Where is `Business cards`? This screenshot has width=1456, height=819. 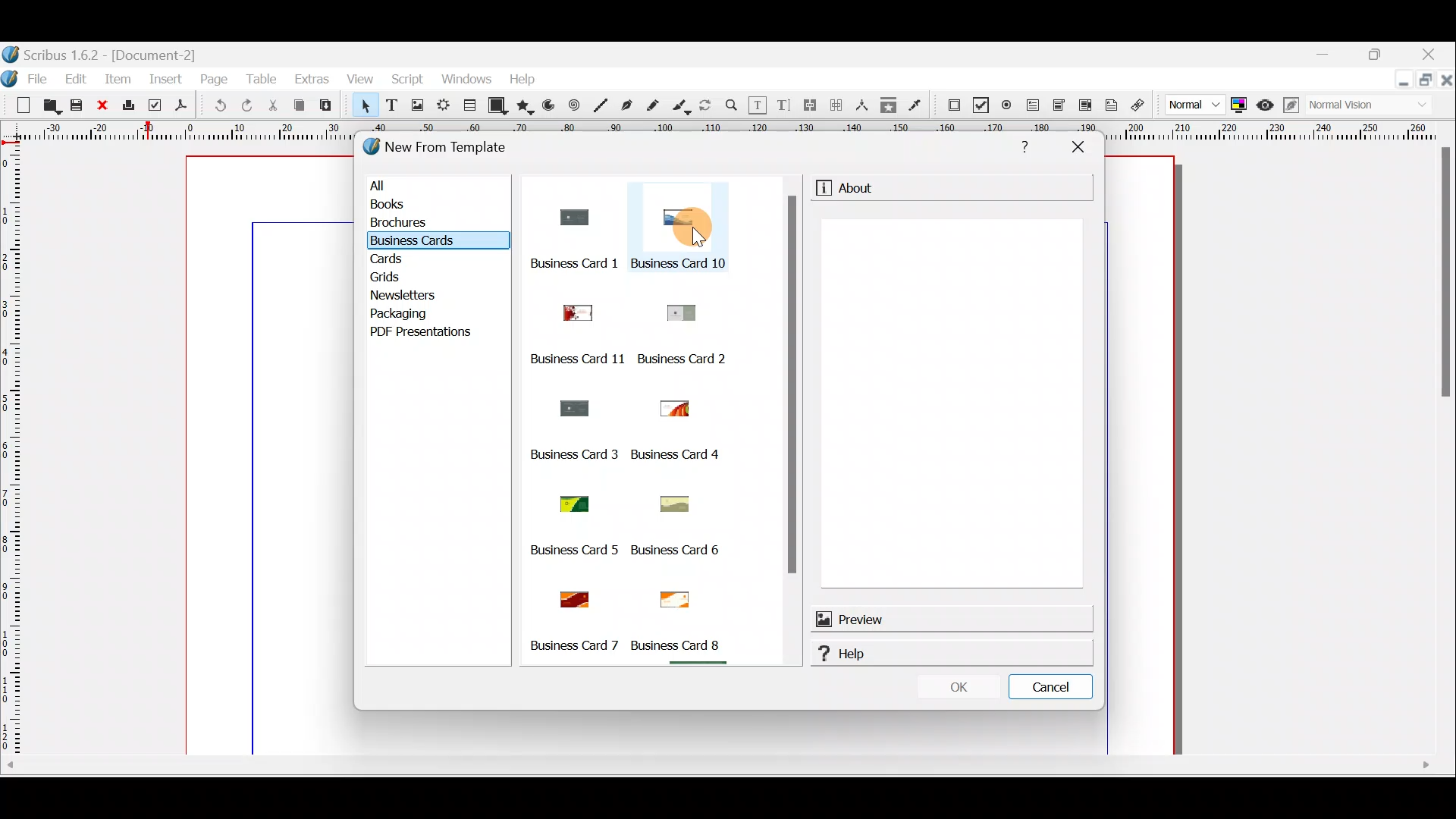
Business cards is located at coordinates (426, 243).